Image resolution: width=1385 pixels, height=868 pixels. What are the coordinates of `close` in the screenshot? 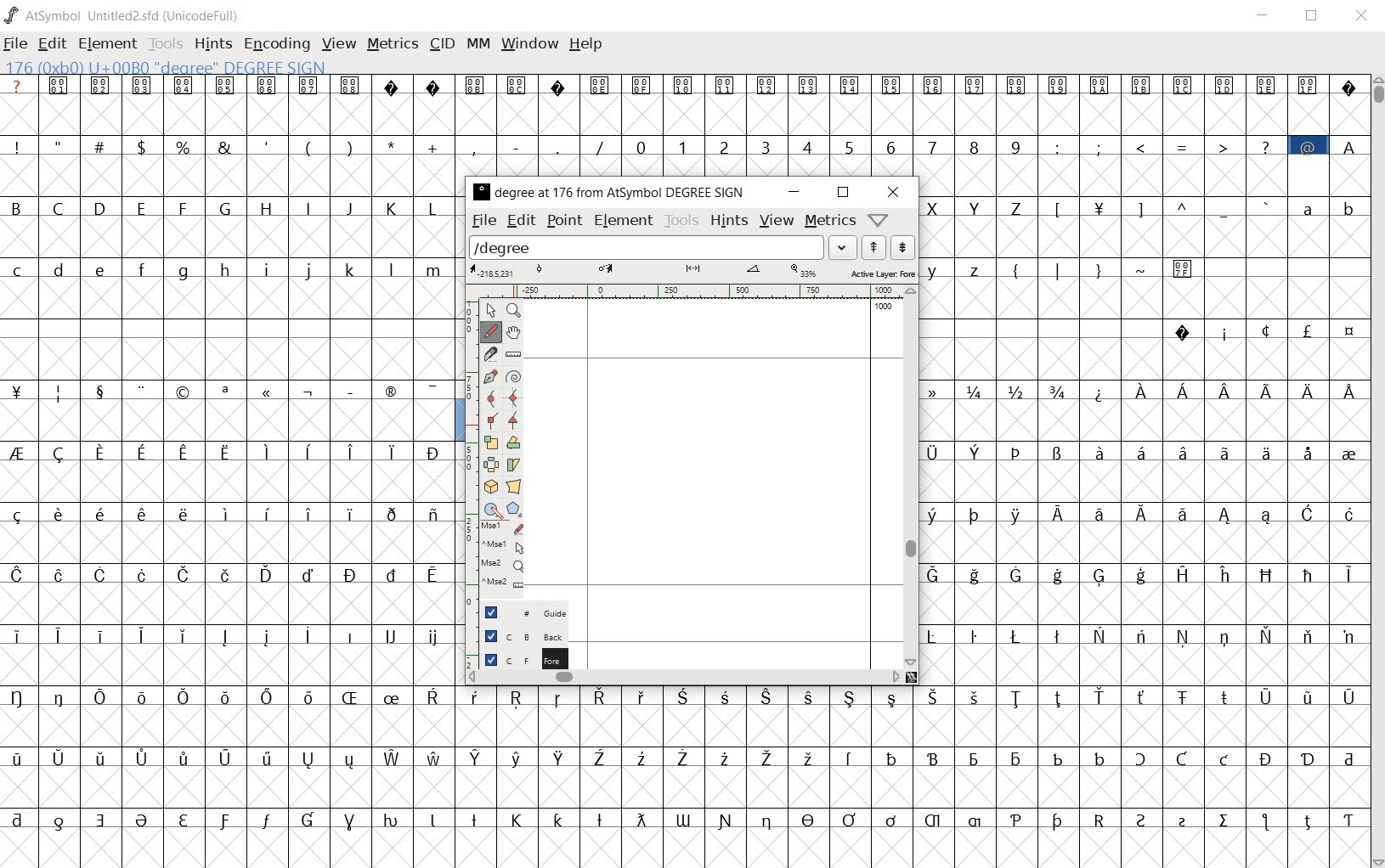 It's located at (1362, 17).